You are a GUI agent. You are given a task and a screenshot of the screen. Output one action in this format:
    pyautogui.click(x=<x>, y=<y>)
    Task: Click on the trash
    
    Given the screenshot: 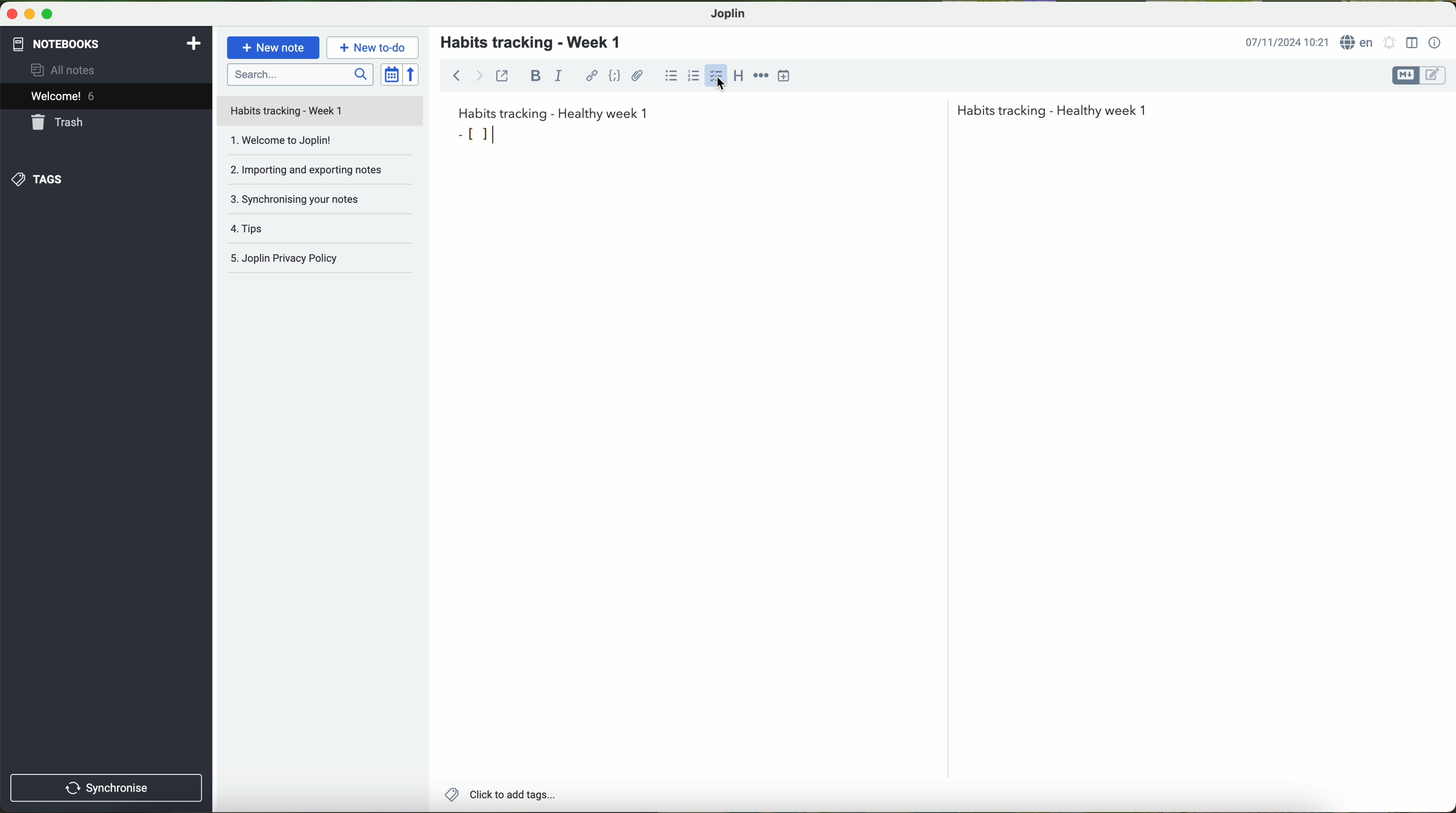 What is the action you would take?
    pyautogui.click(x=59, y=122)
    